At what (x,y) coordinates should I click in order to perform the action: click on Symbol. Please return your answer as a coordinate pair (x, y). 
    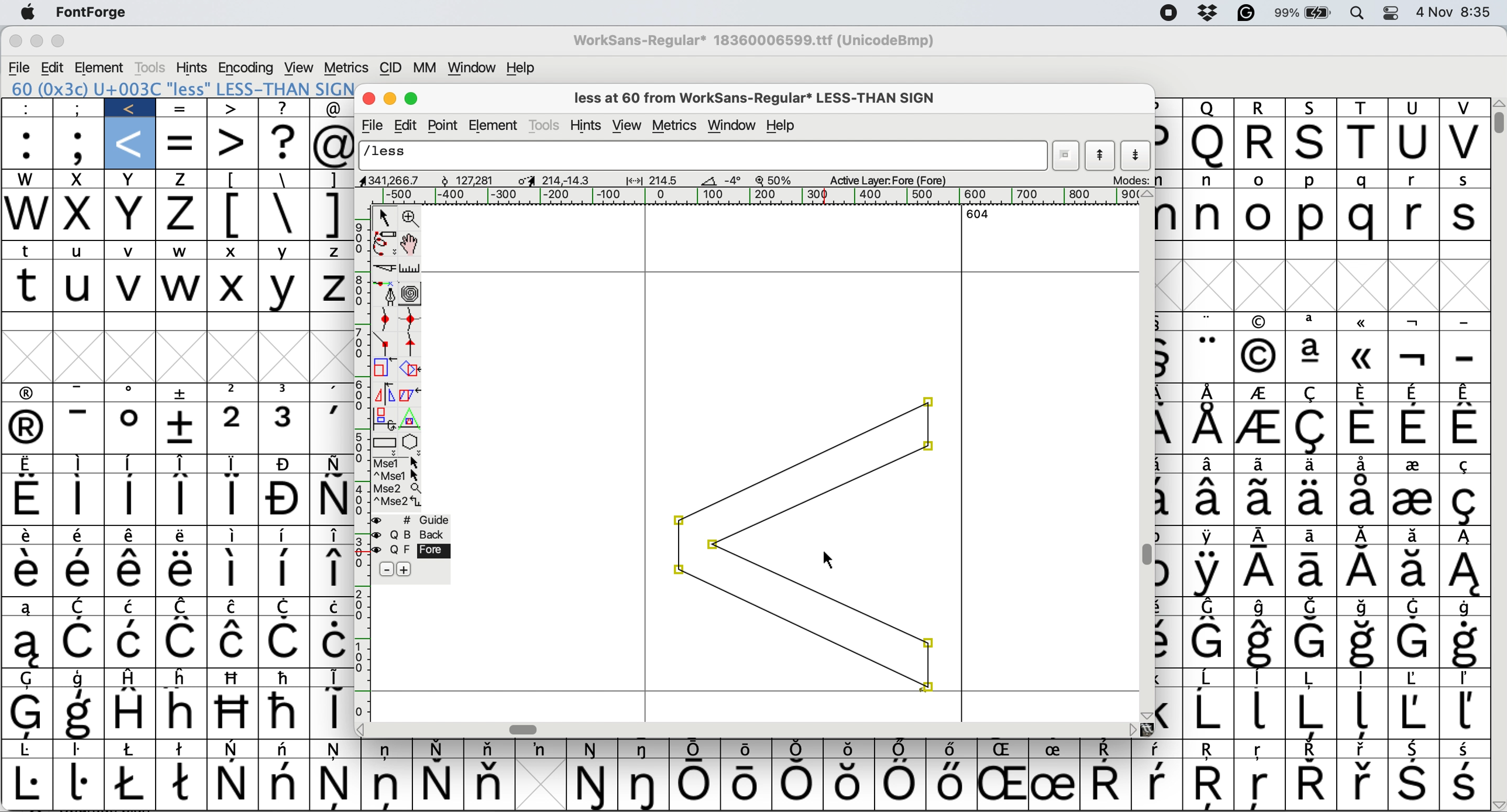
    Looking at the image, I should click on (235, 536).